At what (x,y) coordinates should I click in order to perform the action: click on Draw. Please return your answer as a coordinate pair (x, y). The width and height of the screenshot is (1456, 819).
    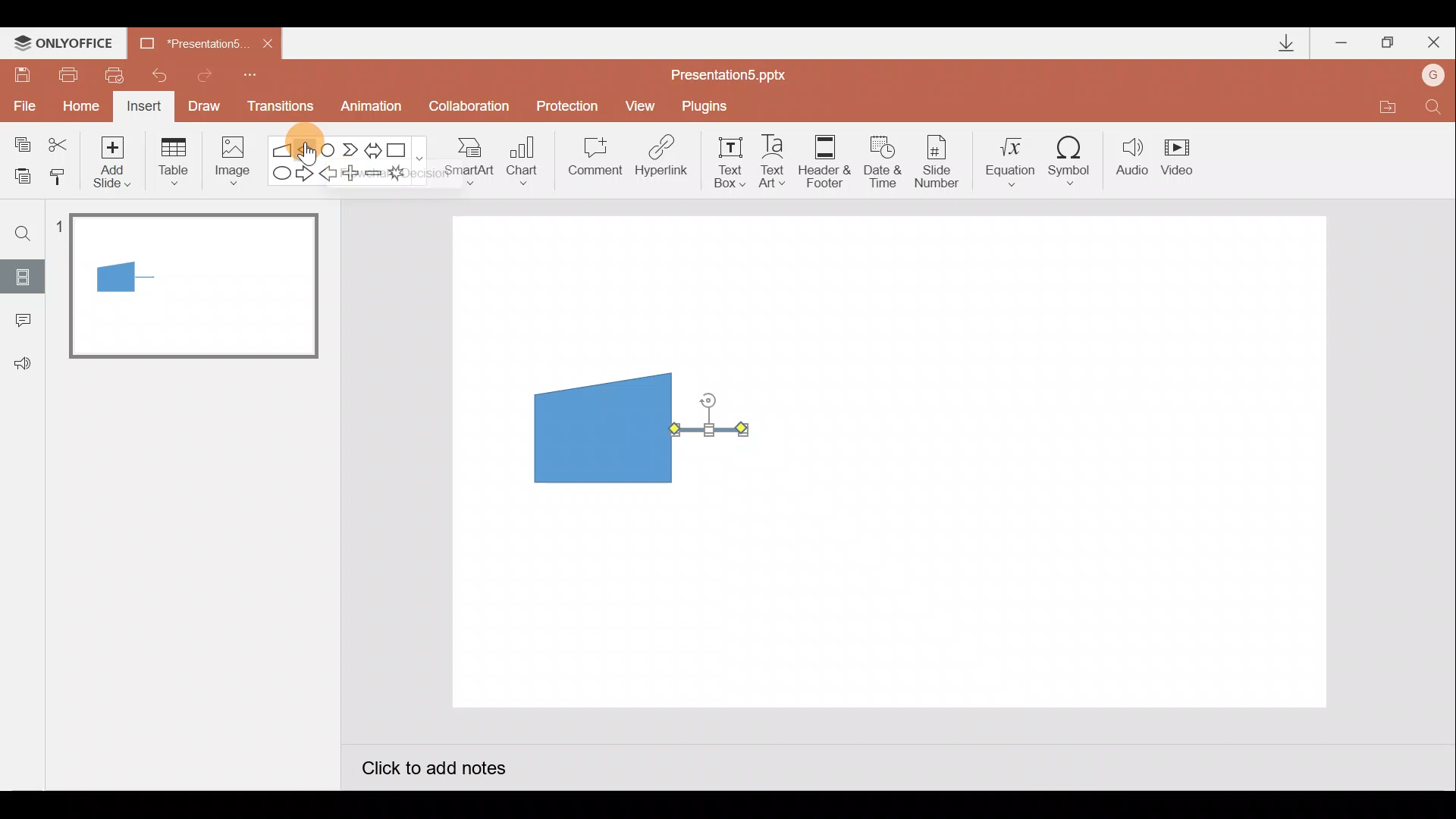
    Looking at the image, I should click on (205, 105).